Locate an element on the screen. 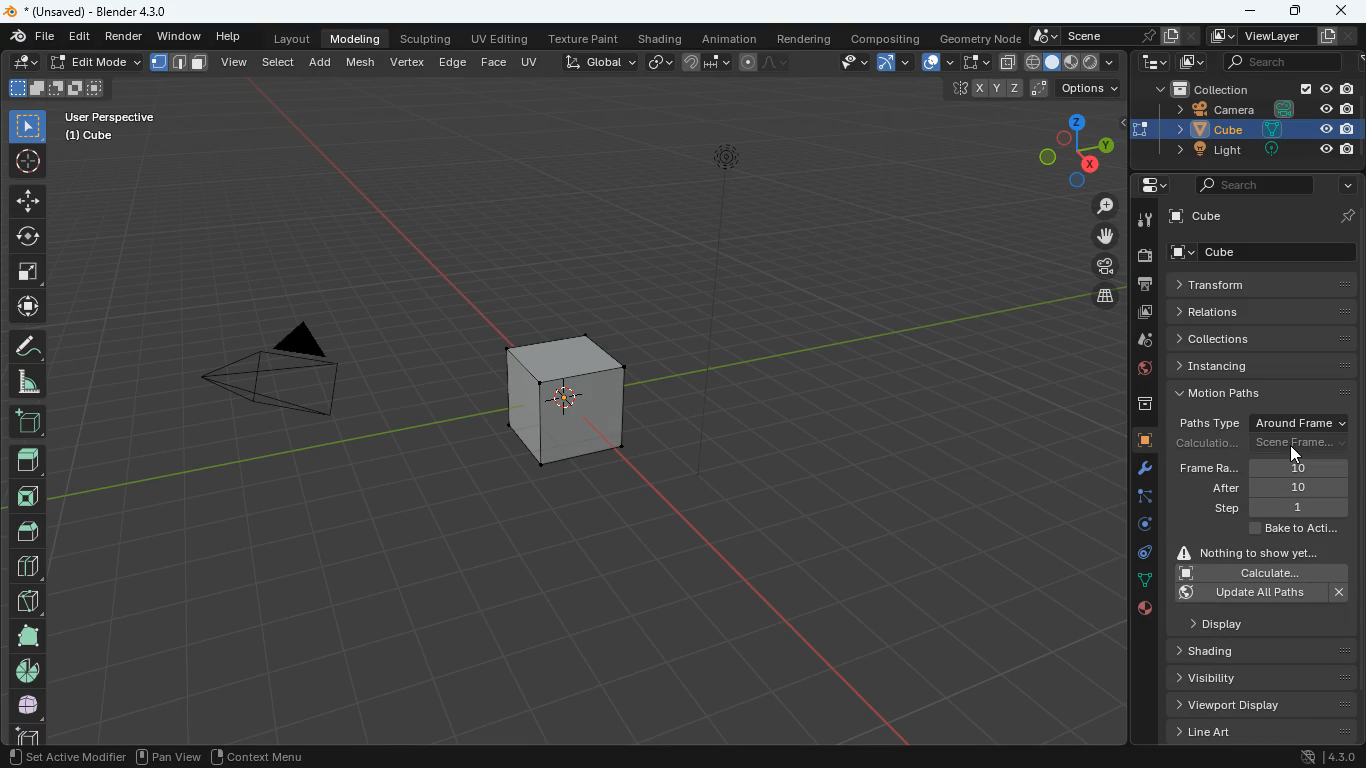   is located at coordinates (1298, 489).